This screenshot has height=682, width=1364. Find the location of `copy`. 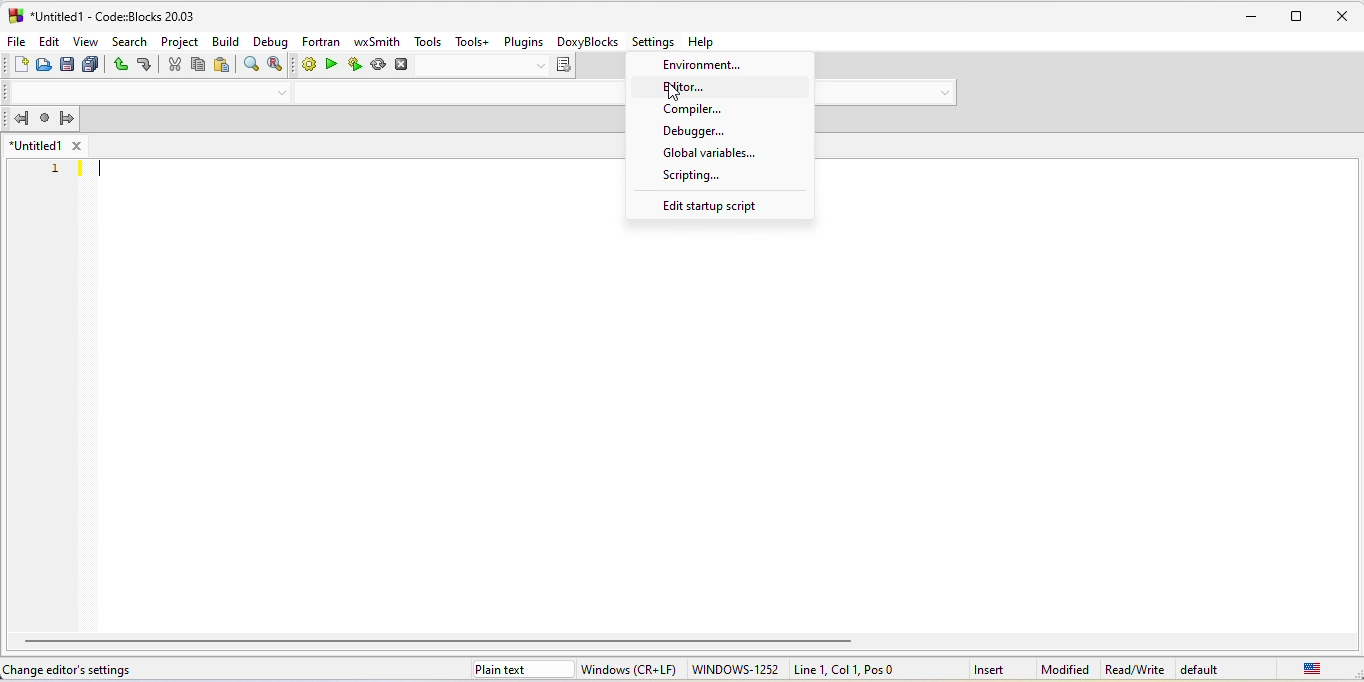

copy is located at coordinates (198, 64).